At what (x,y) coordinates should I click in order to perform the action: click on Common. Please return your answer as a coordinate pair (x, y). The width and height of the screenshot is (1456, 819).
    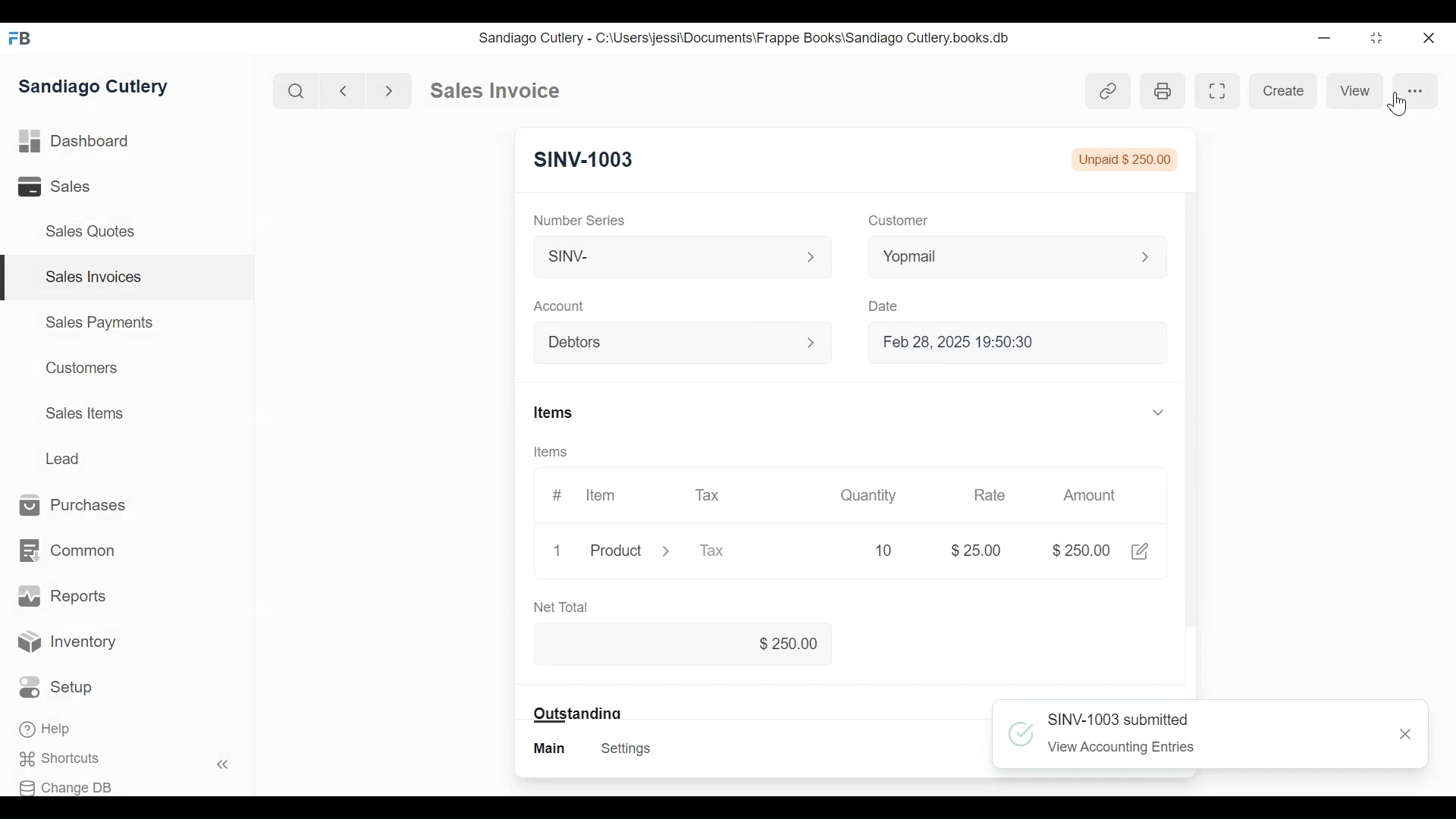
    Looking at the image, I should click on (70, 551).